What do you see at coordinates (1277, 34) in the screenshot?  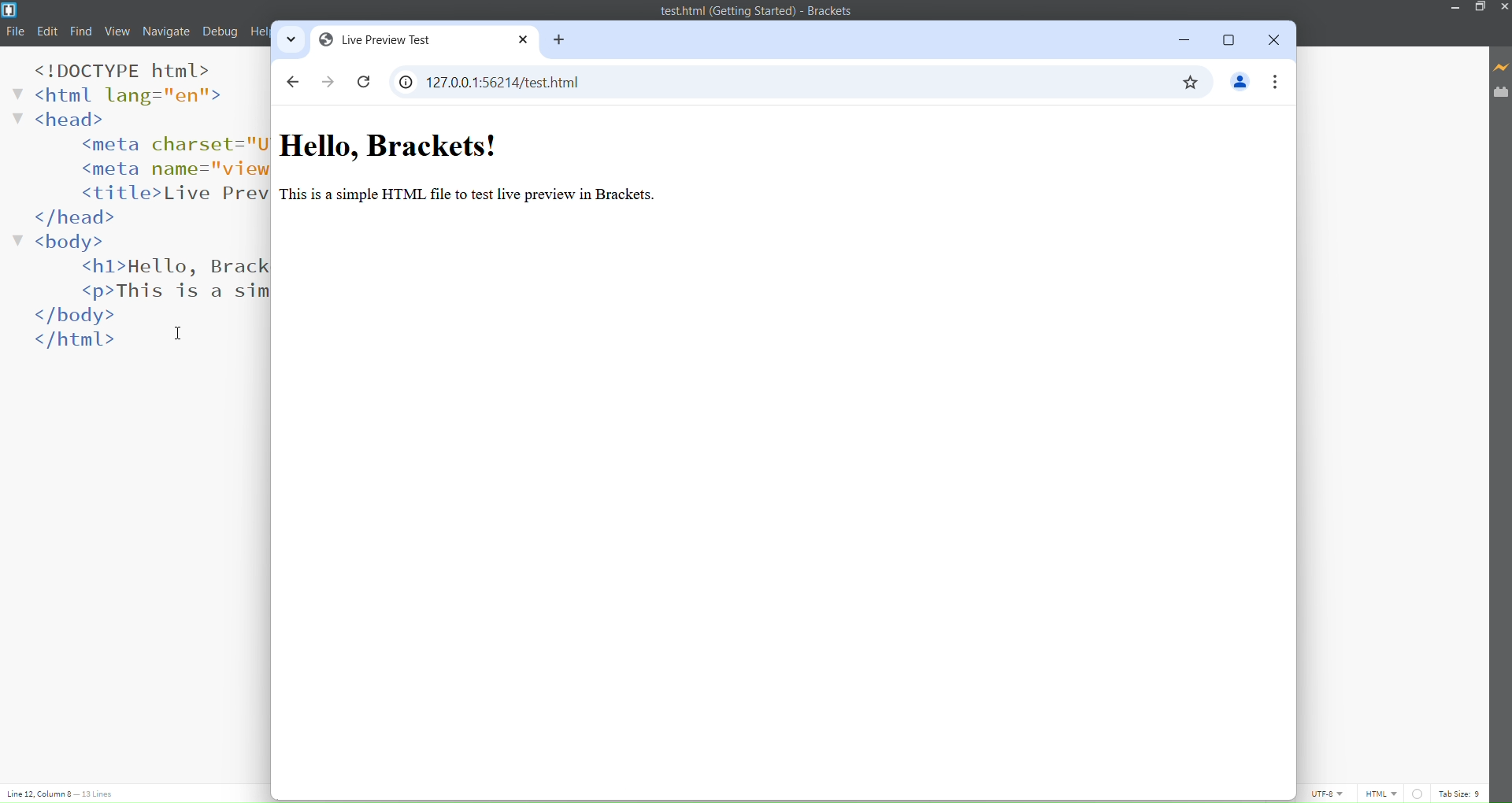 I see `Close` at bounding box center [1277, 34].